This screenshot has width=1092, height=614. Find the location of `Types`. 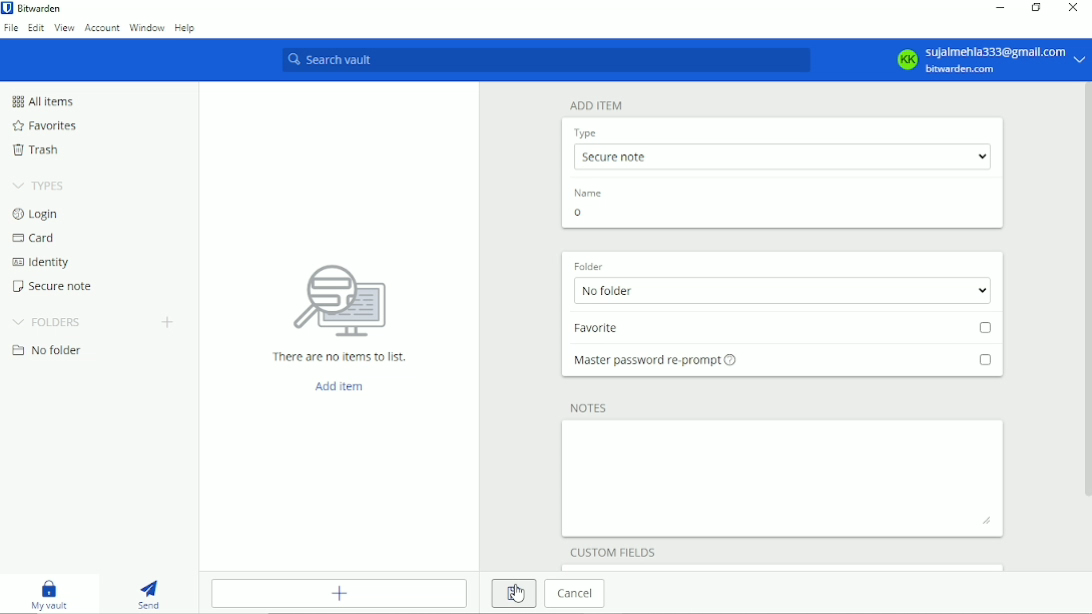

Types is located at coordinates (40, 185).